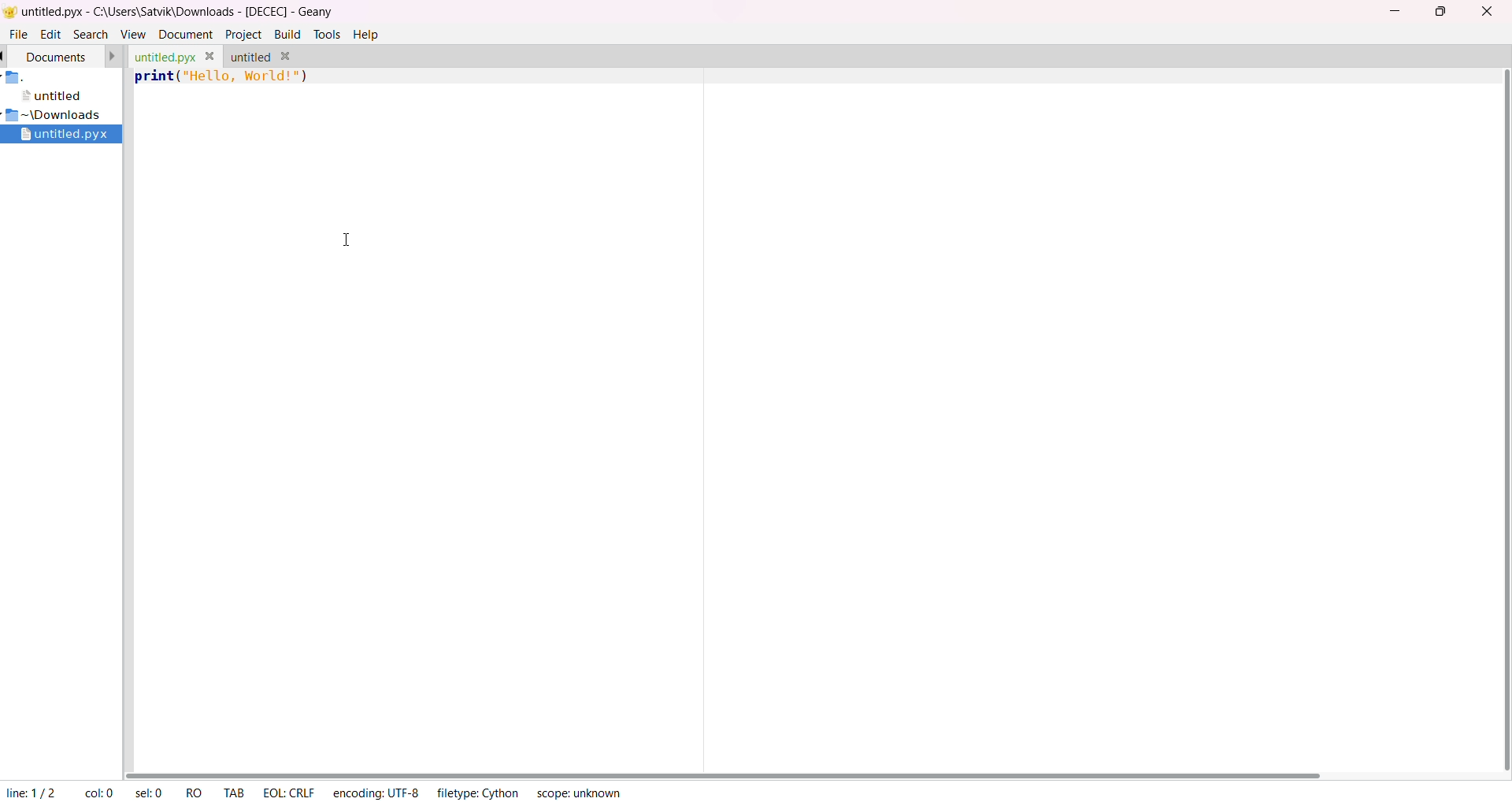 This screenshot has width=1512, height=802. What do you see at coordinates (166, 57) in the screenshot?
I see `untitled.pyx` at bounding box center [166, 57].